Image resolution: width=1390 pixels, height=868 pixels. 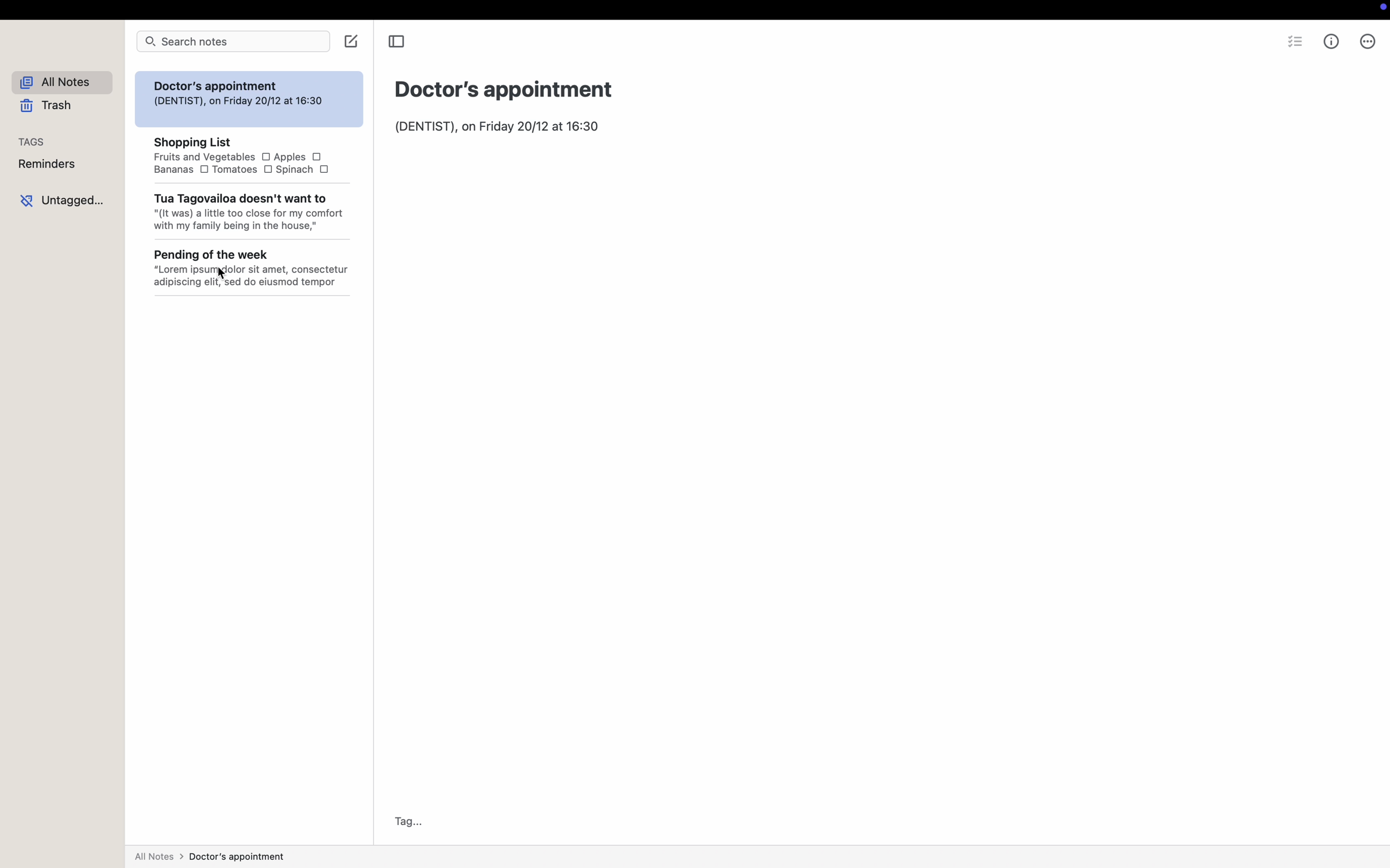 What do you see at coordinates (245, 154) in the screenshot?
I see `SHOPPING List Fruits and Vegetables O Apples OBananas [OO Tomatoes [OO Spinach O` at bounding box center [245, 154].